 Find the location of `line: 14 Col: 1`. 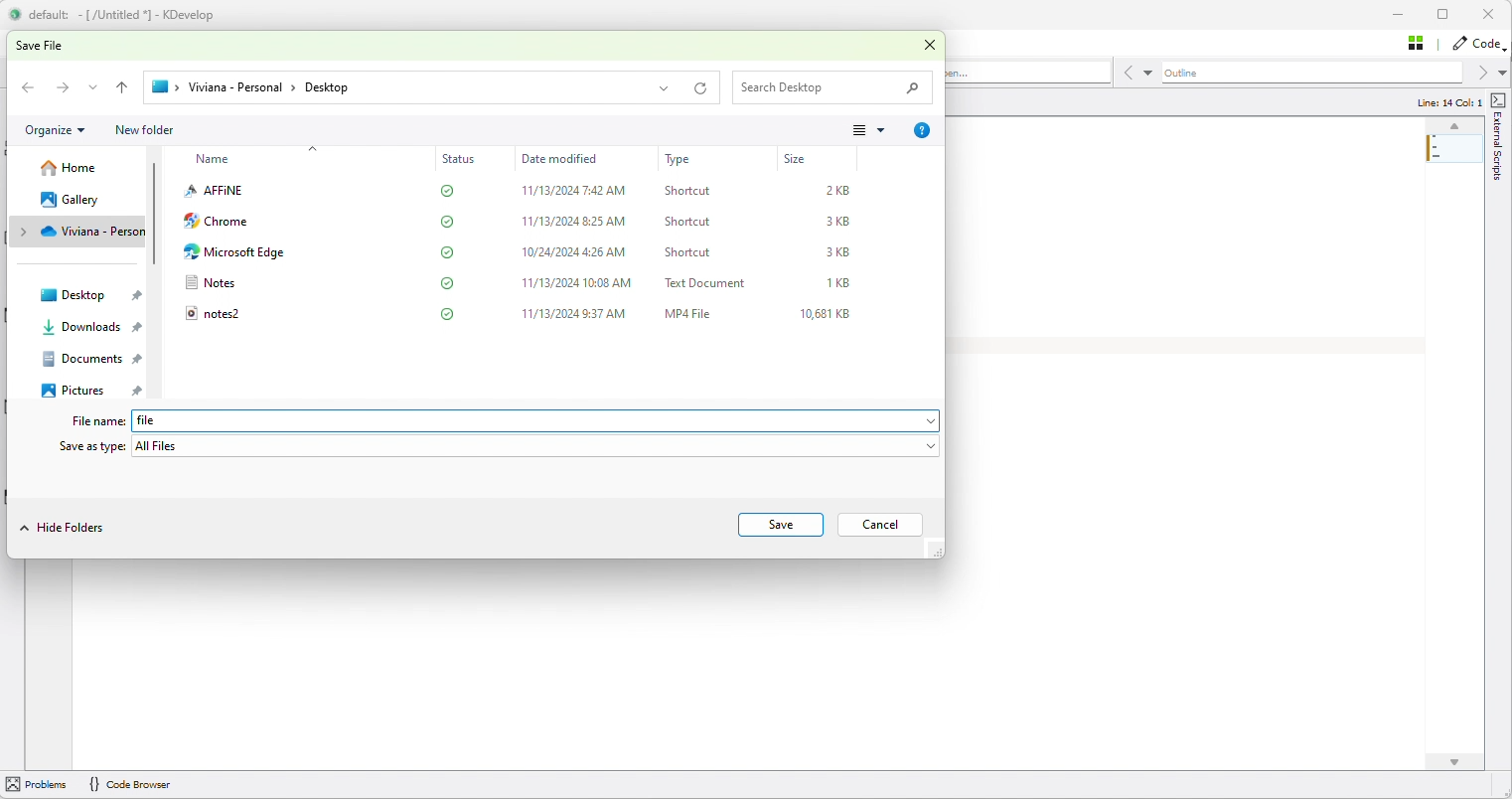

line: 14 Col: 1 is located at coordinates (1446, 101).